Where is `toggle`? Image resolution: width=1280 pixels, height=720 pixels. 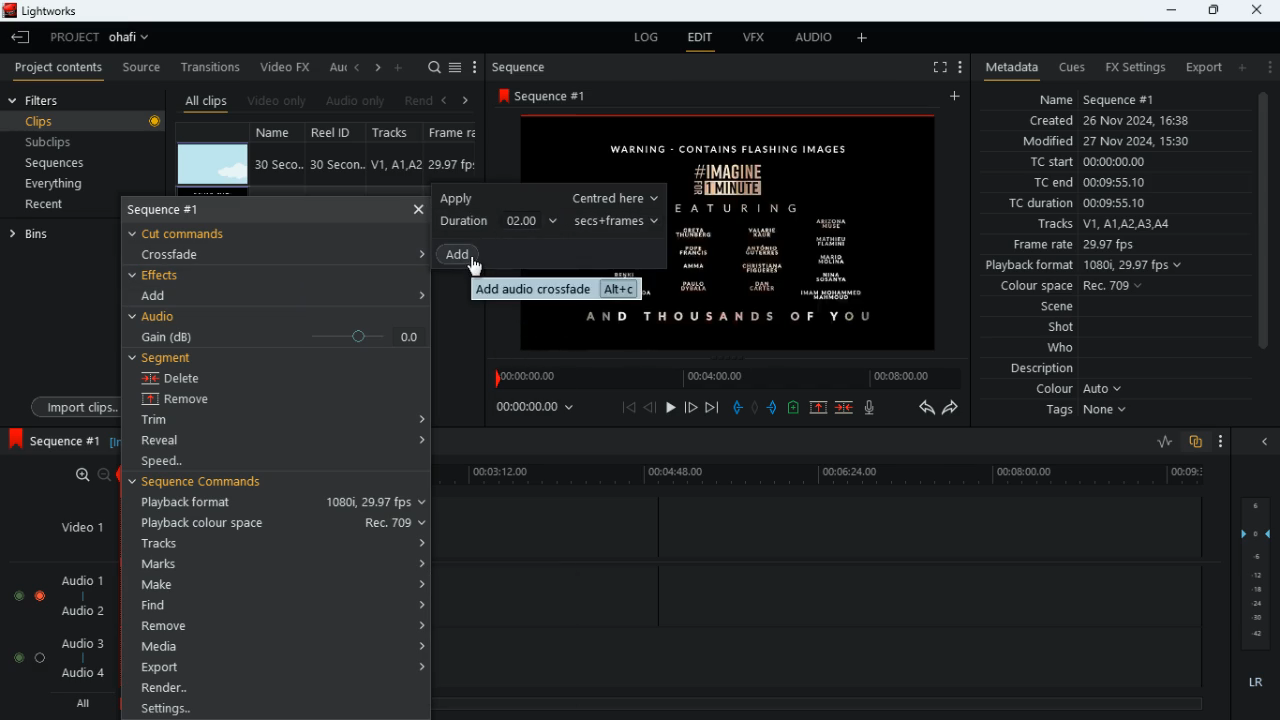
toggle is located at coordinates (17, 593).